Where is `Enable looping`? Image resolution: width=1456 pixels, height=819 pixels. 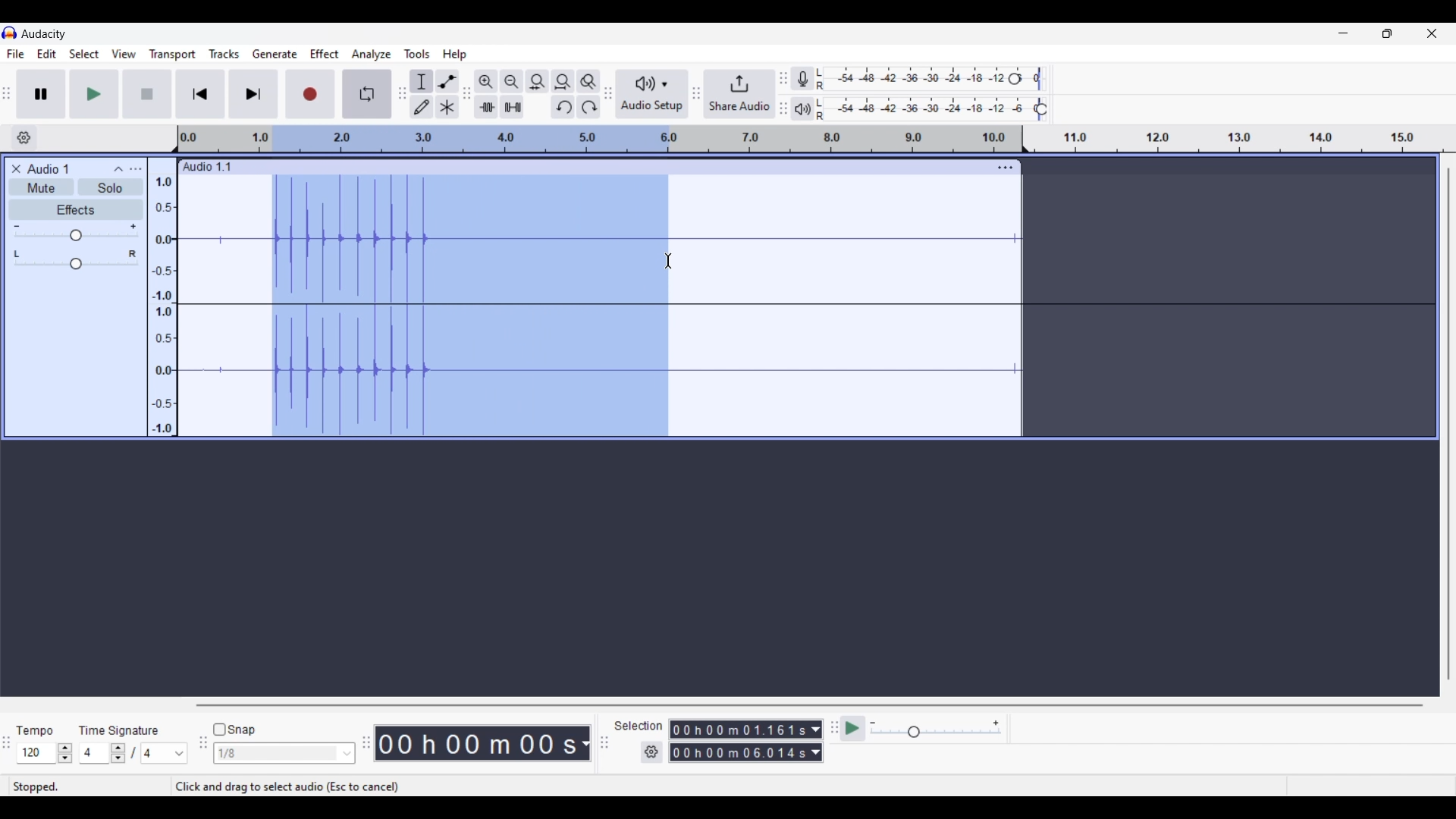
Enable looping is located at coordinates (368, 94).